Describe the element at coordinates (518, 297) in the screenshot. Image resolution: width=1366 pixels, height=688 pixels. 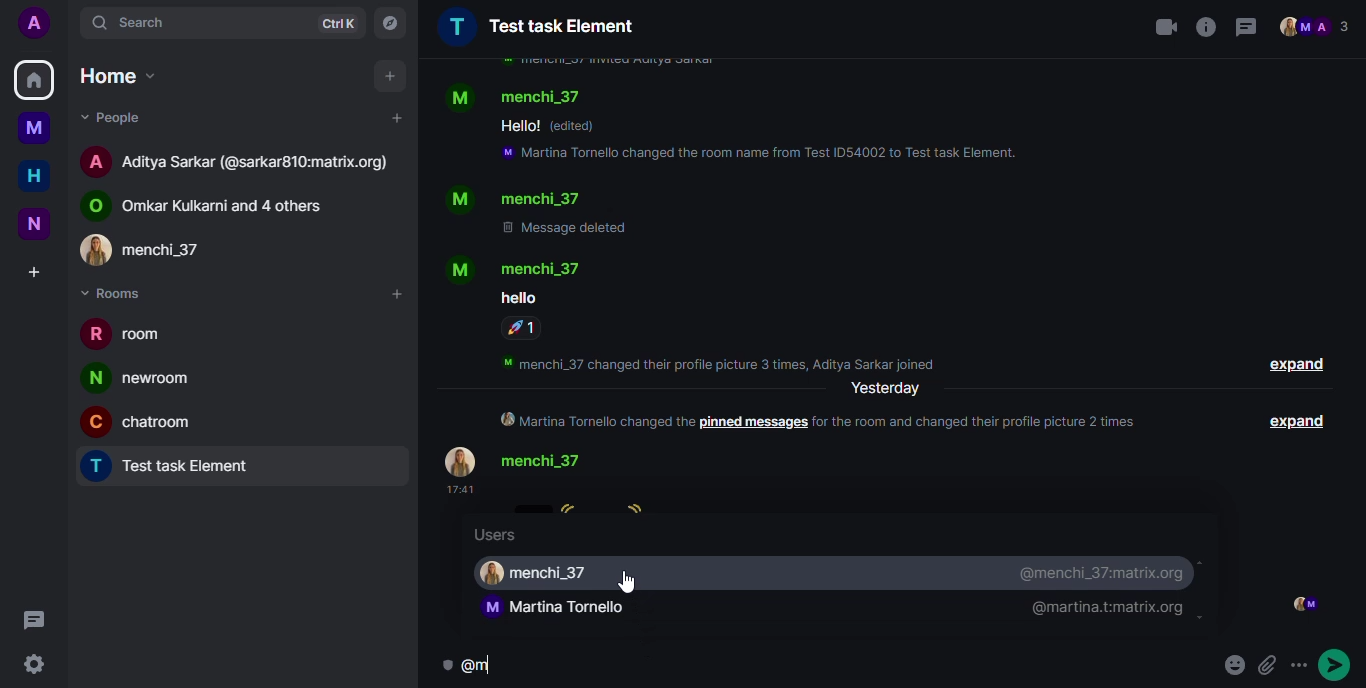
I see `text` at that location.